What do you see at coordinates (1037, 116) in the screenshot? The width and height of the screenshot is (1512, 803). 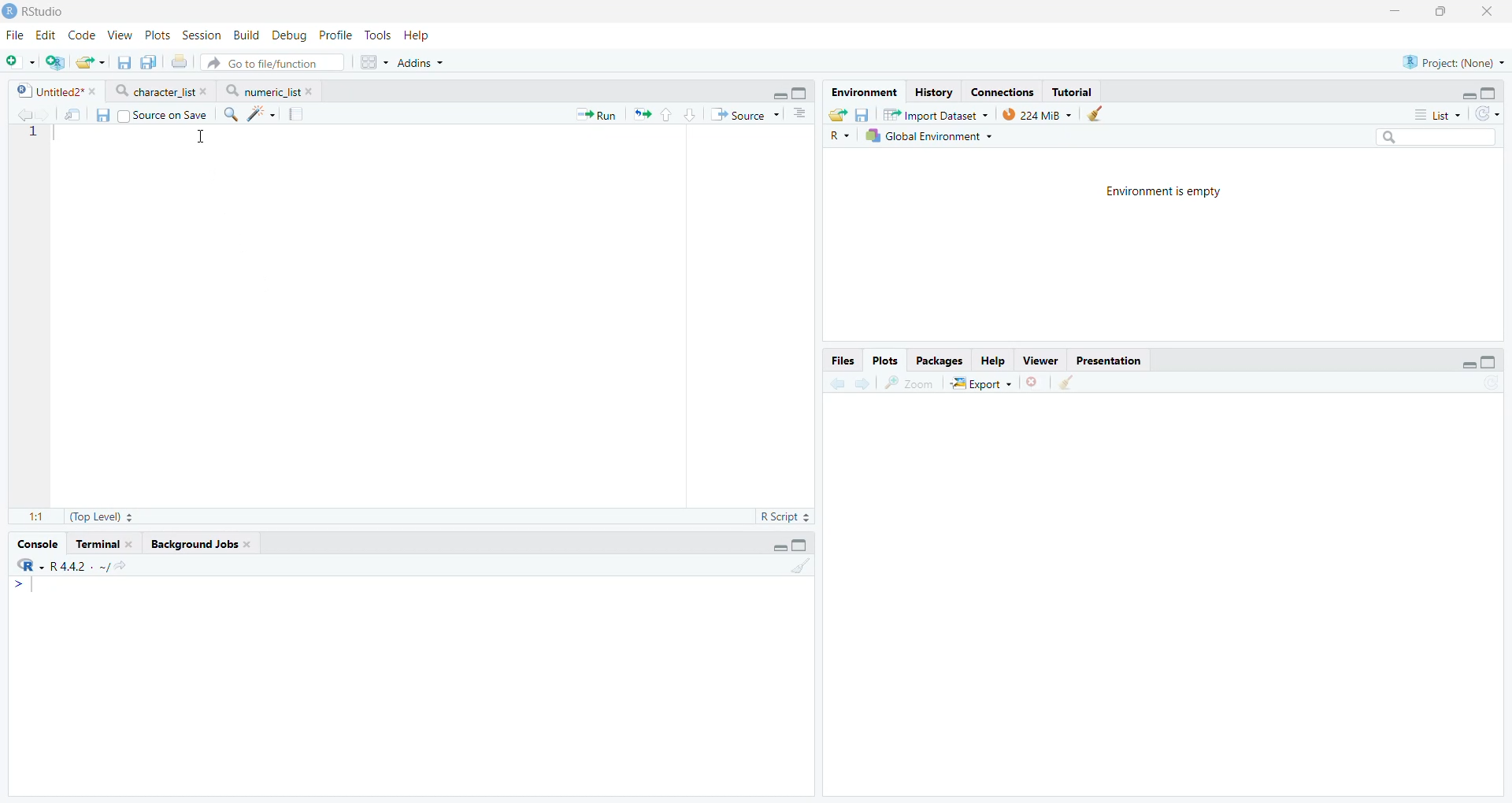 I see `224M` at bounding box center [1037, 116].